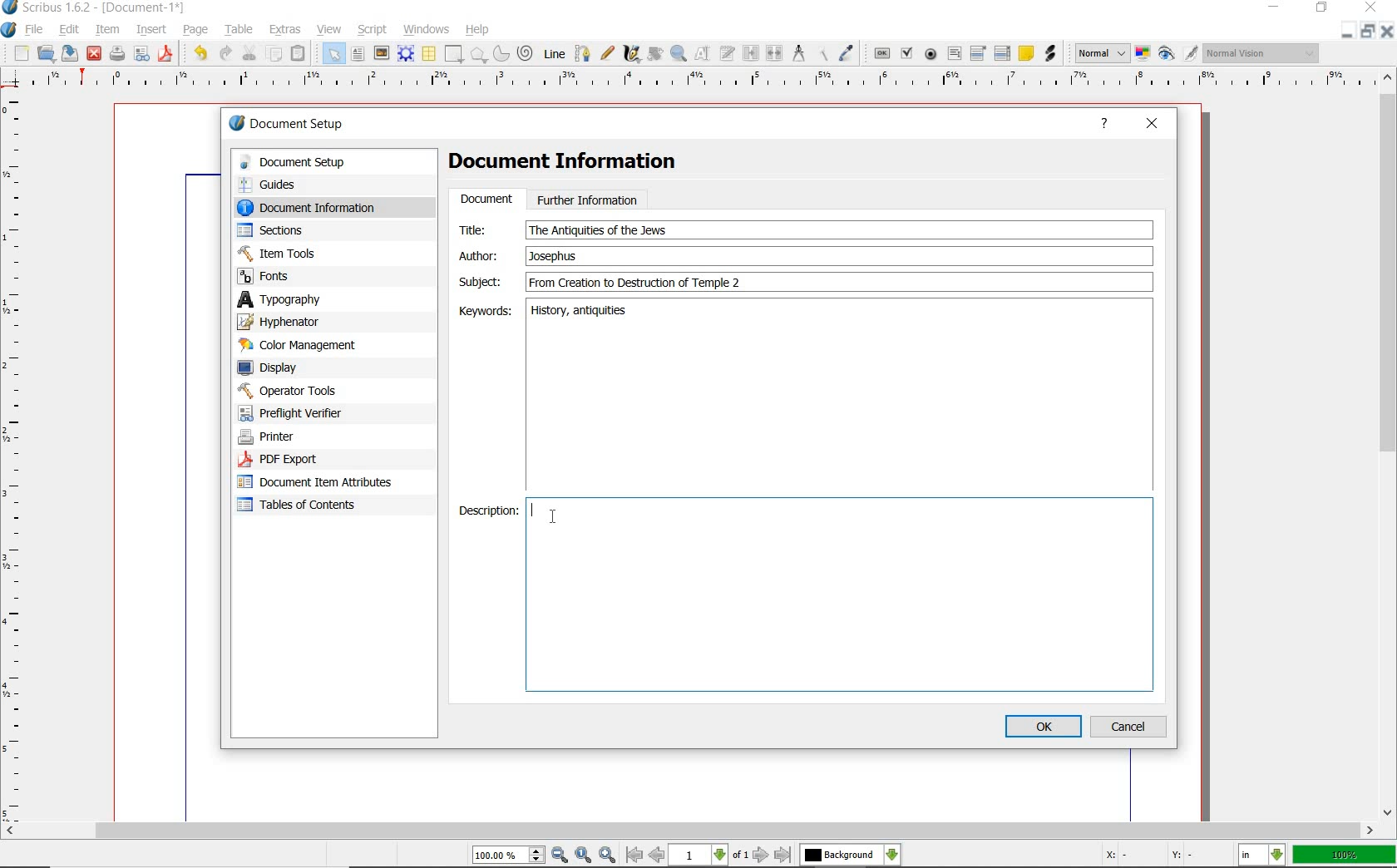 Image resolution: width=1397 pixels, height=868 pixels. Describe the element at coordinates (20, 53) in the screenshot. I see `new` at that location.